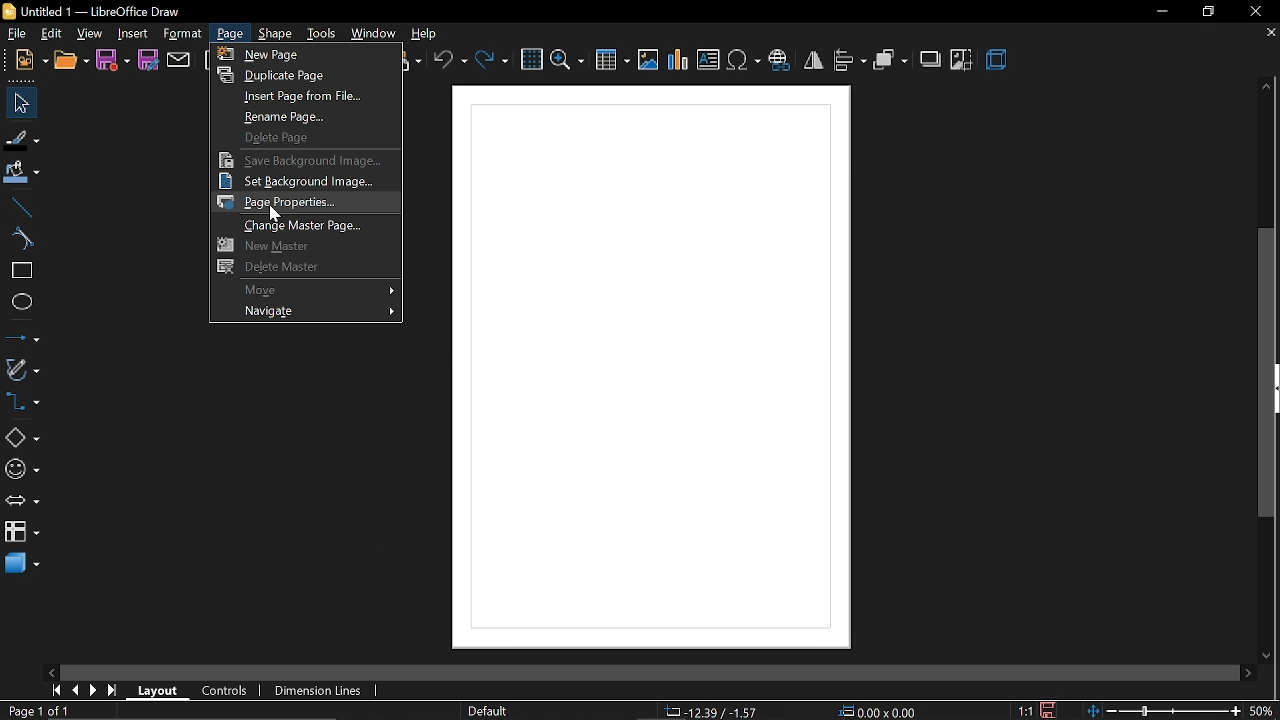  Describe the element at coordinates (1265, 708) in the screenshot. I see `60% - current zoom` at that location.